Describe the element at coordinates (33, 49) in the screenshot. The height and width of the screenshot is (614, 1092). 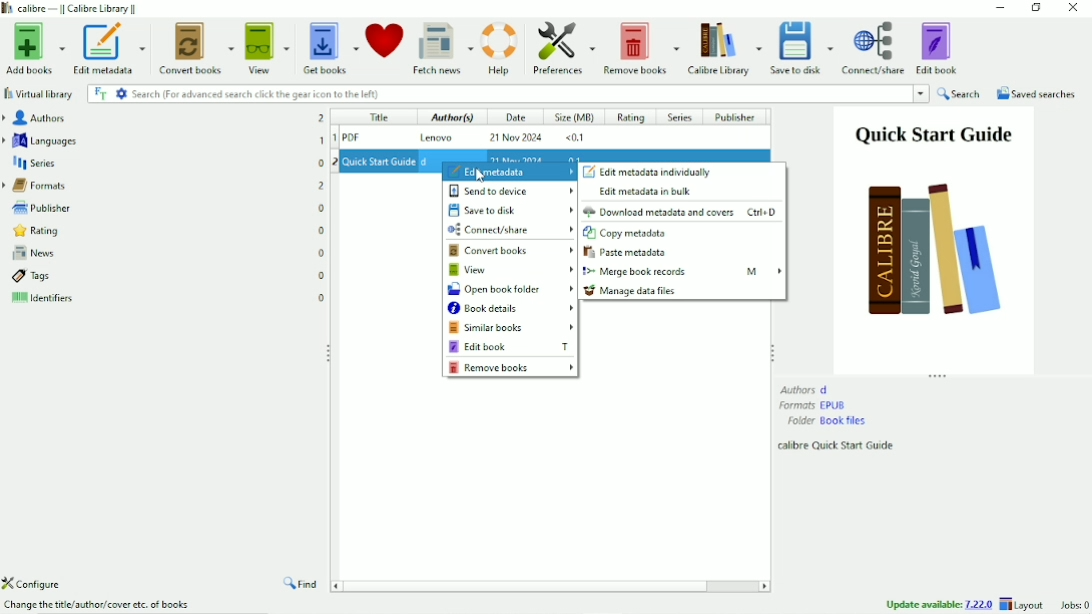
I see `Add books` at that location.